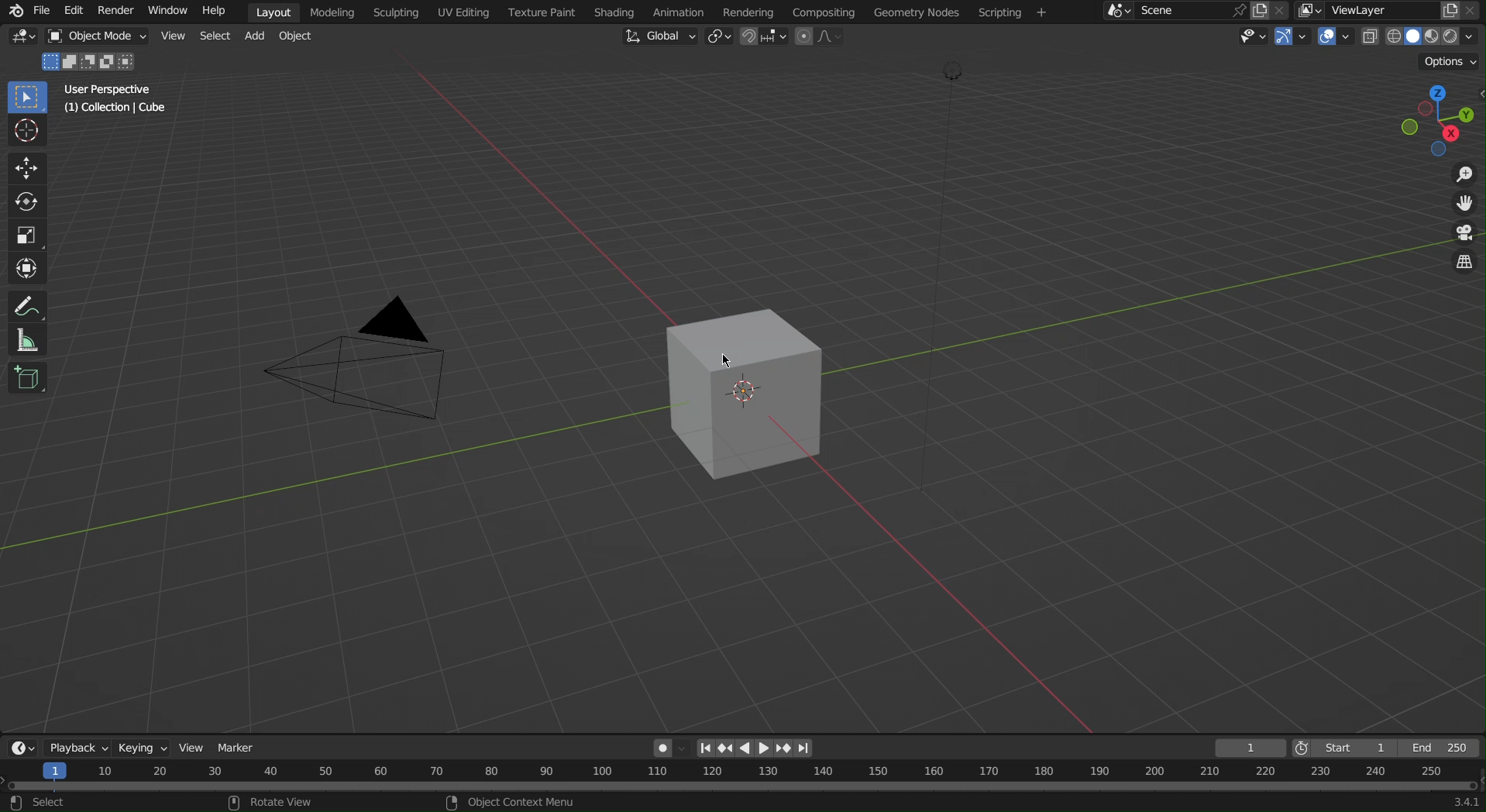 This screenshot has width=1486, height=812. I want to click on Rendering, so click(748, 12).